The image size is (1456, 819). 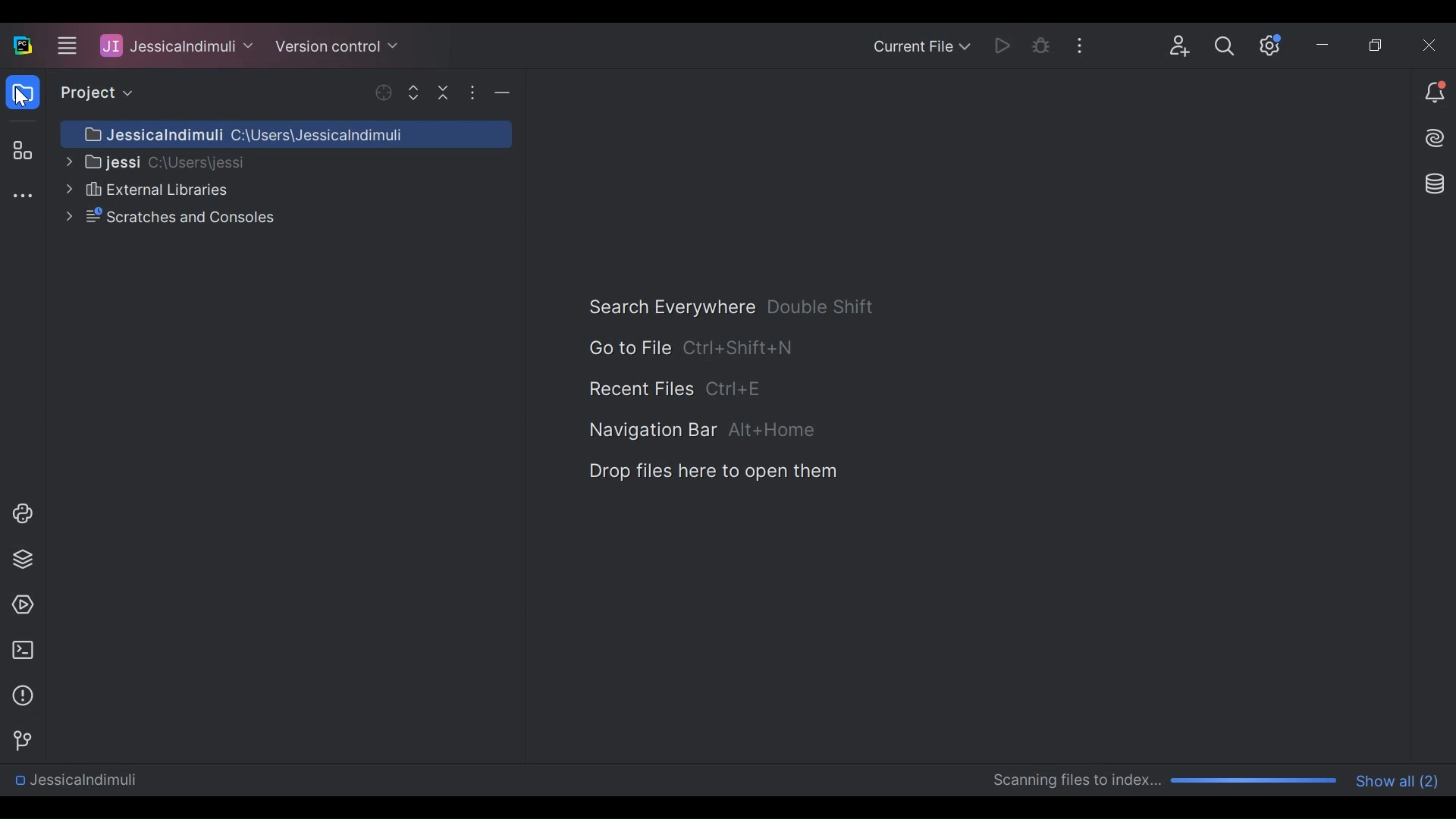 I want to click on Code with me, so click(x=1178, y=44).